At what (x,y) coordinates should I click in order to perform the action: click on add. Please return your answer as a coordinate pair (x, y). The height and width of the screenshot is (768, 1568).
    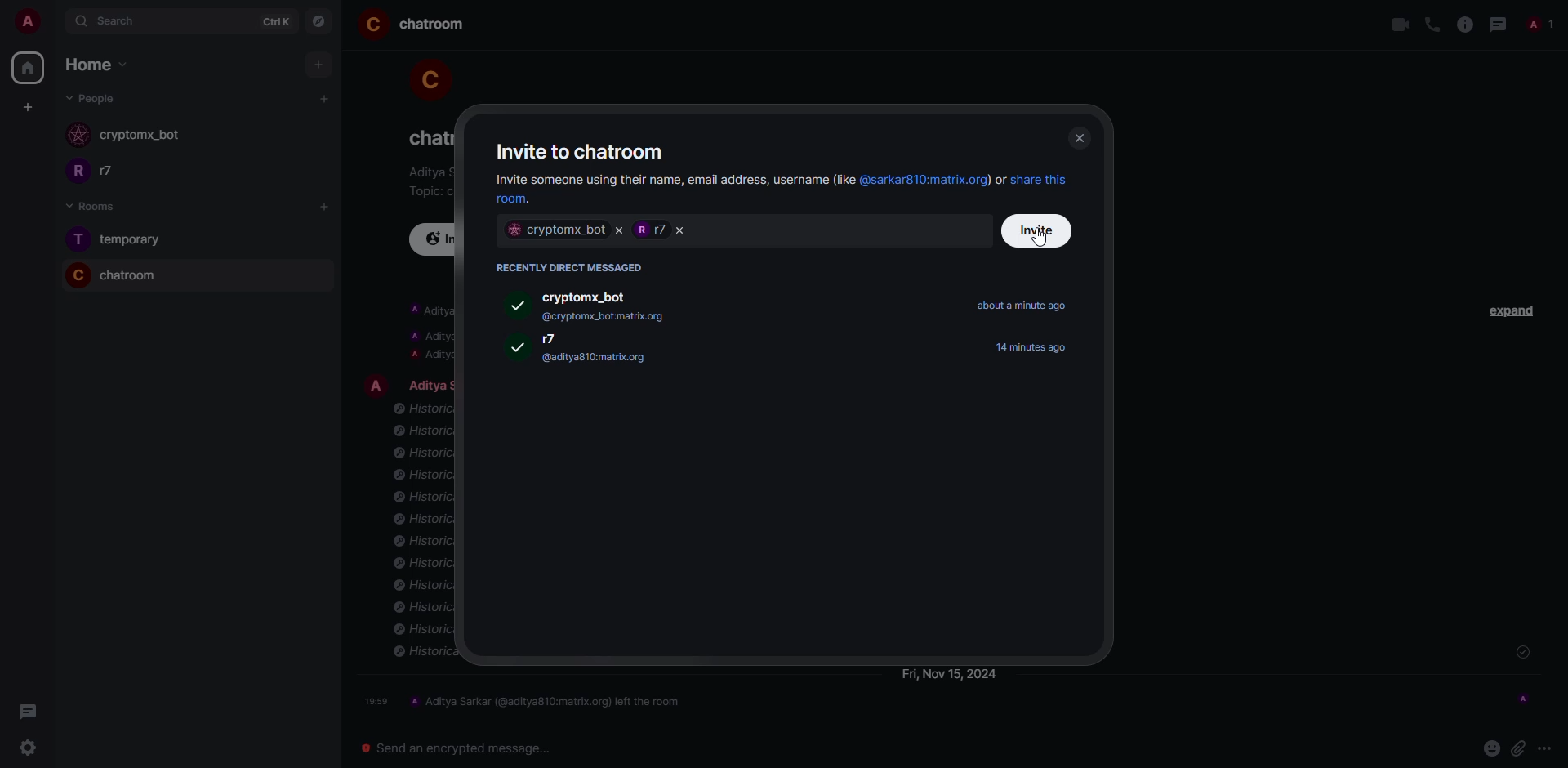
    Looking at the image, I should click on (326, 98).